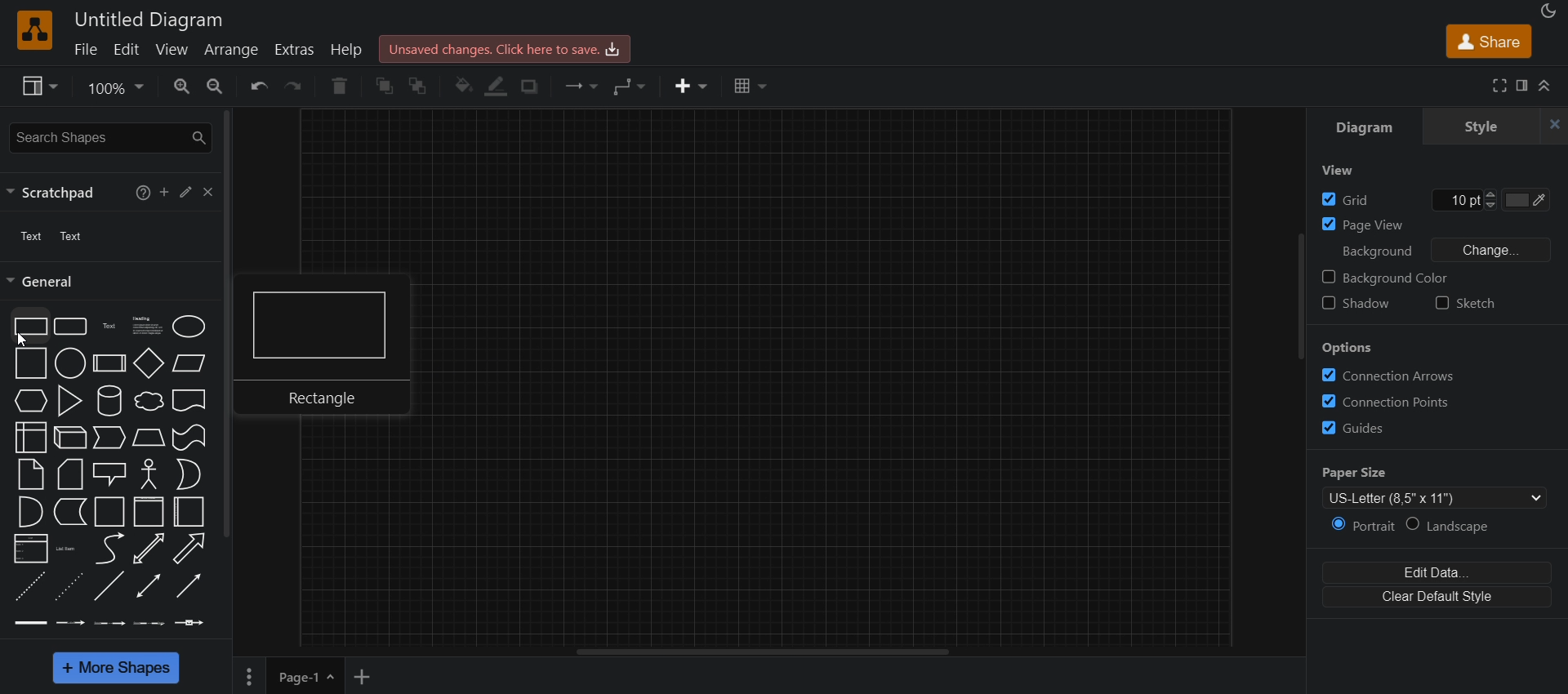  What do you see at coordinates (108, 549) in the screenshot?
I see `curve` at bounding box center [108, 549].